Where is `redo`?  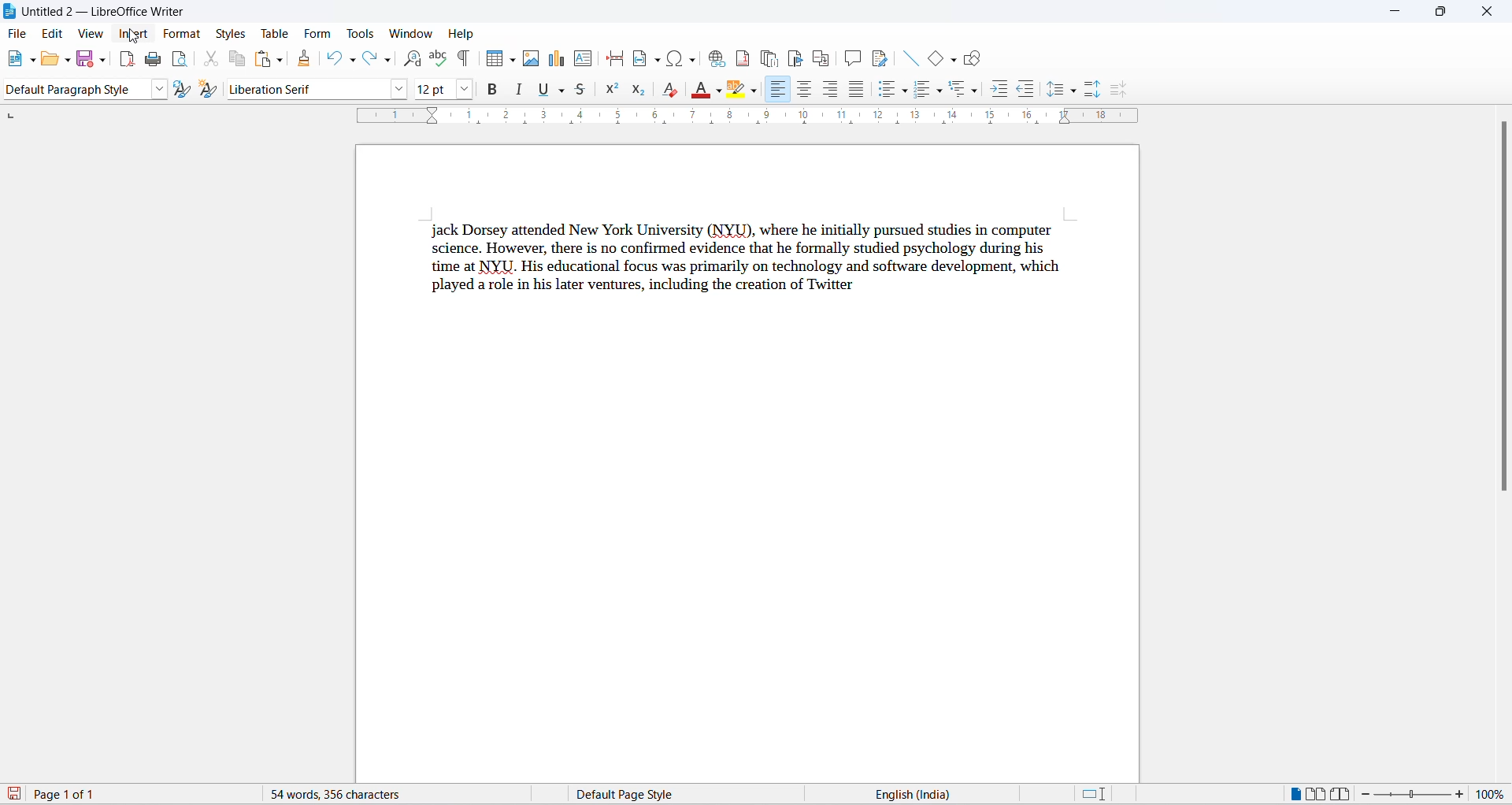
redo is located at coordinates (371, 57).